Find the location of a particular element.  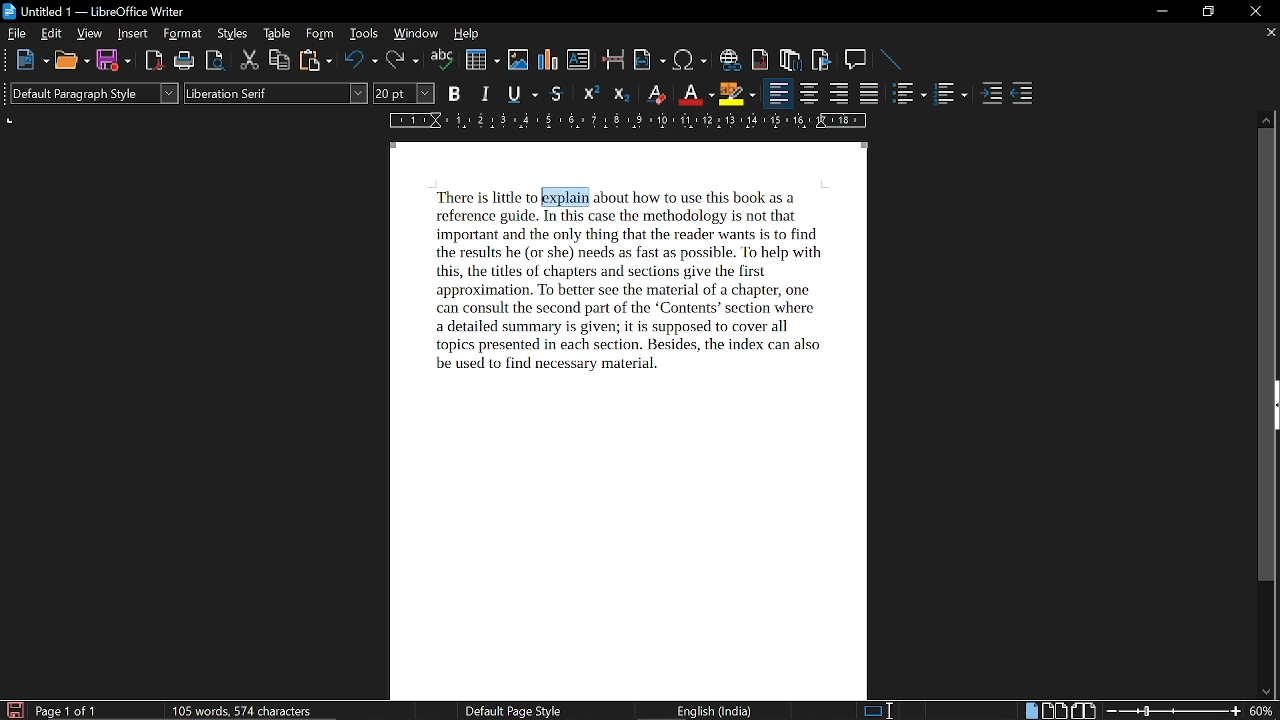

single page view is located at coordinates (1030, 711).